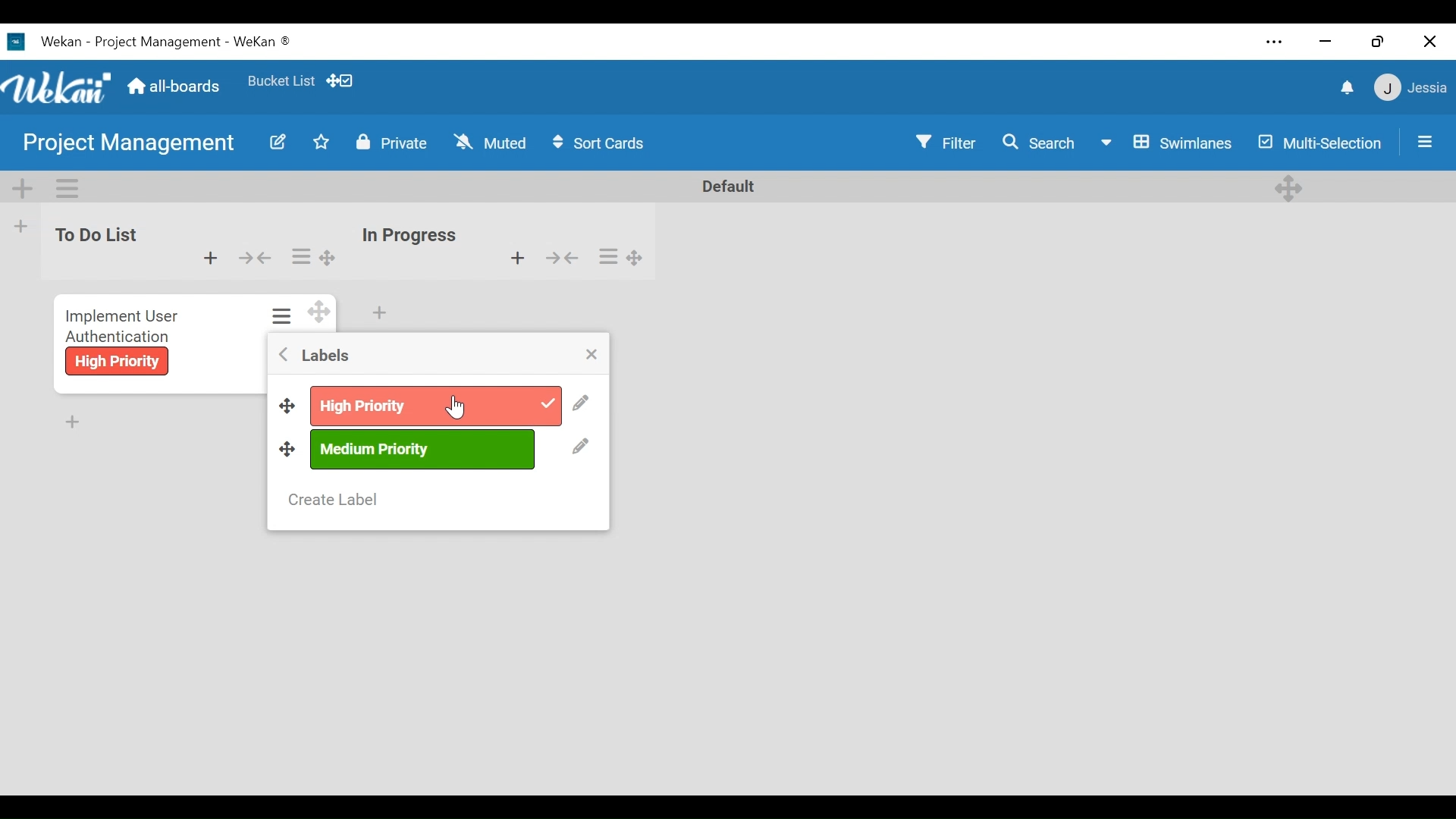 This screenshot has width=1456, height=819. I want to click on Close, so click(1427, 42).